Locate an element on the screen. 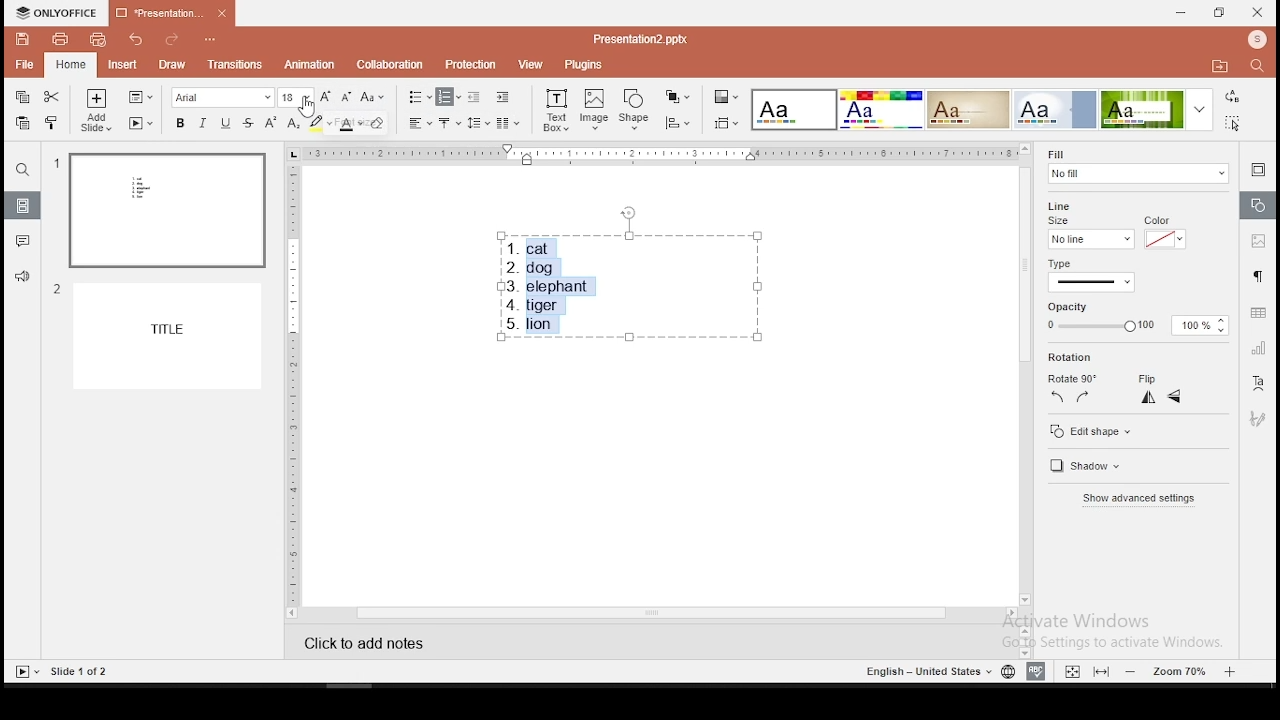  text box is located at coordinates (556, 112).